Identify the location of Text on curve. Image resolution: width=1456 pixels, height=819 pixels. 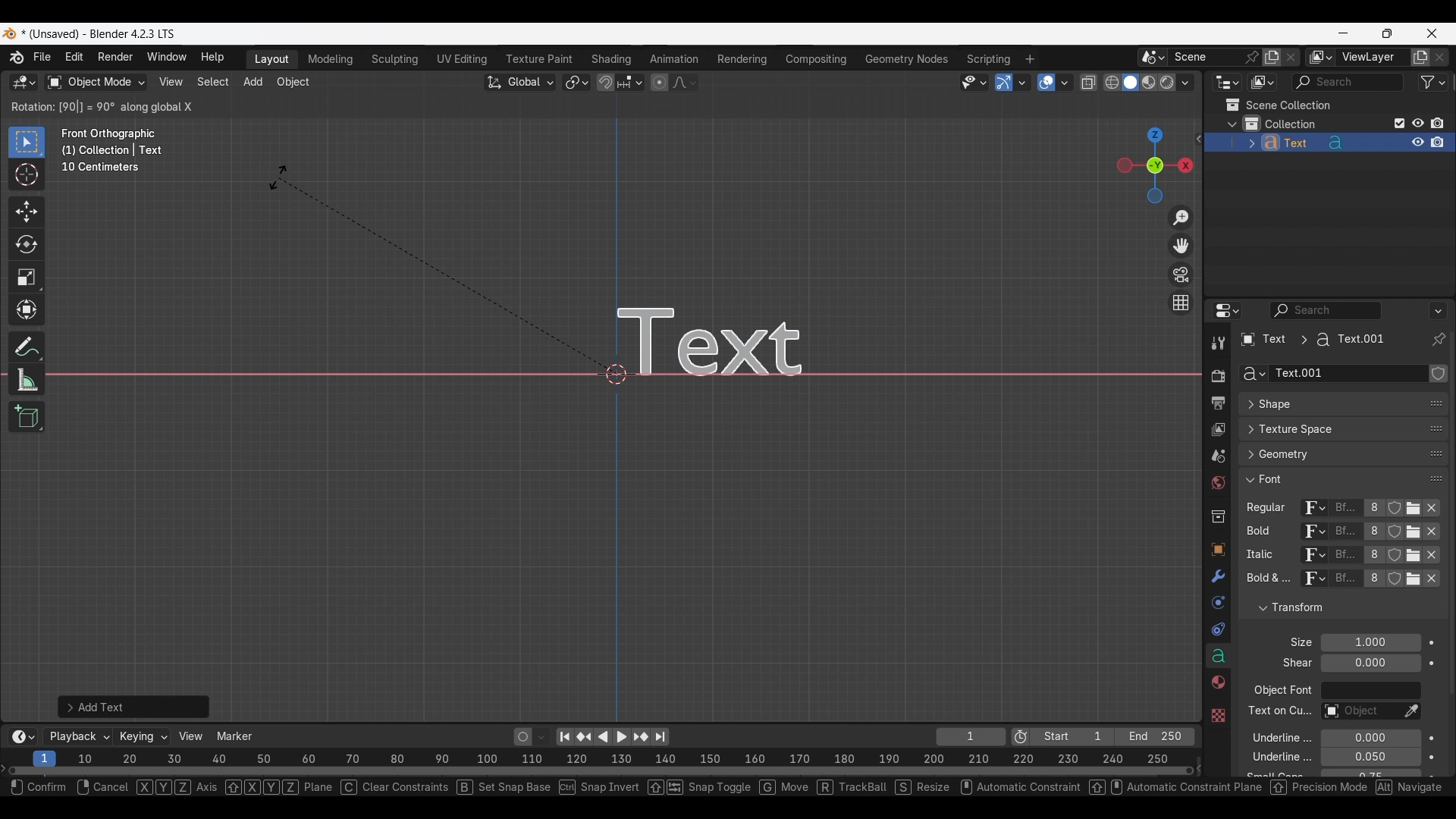
(1359, 712).